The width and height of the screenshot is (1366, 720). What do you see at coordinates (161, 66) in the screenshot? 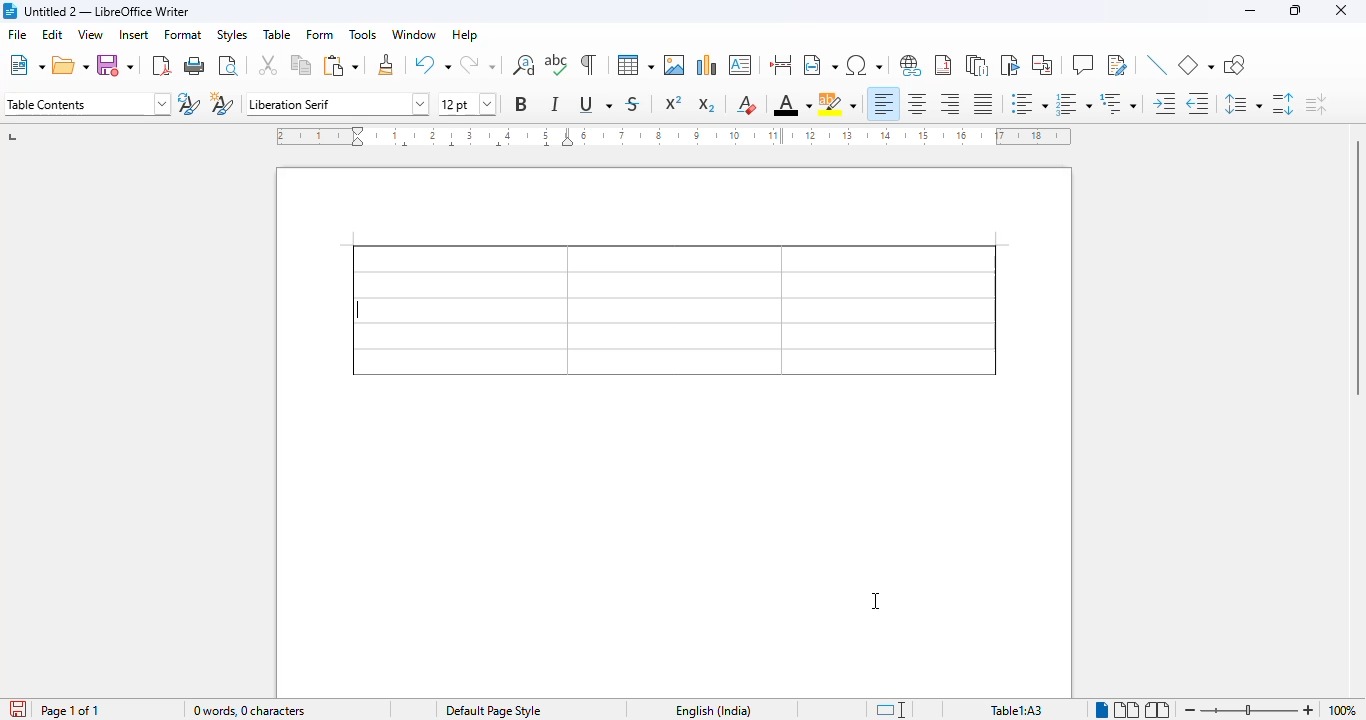
I see `export directly as PDF` at bounding box center [161, 66].